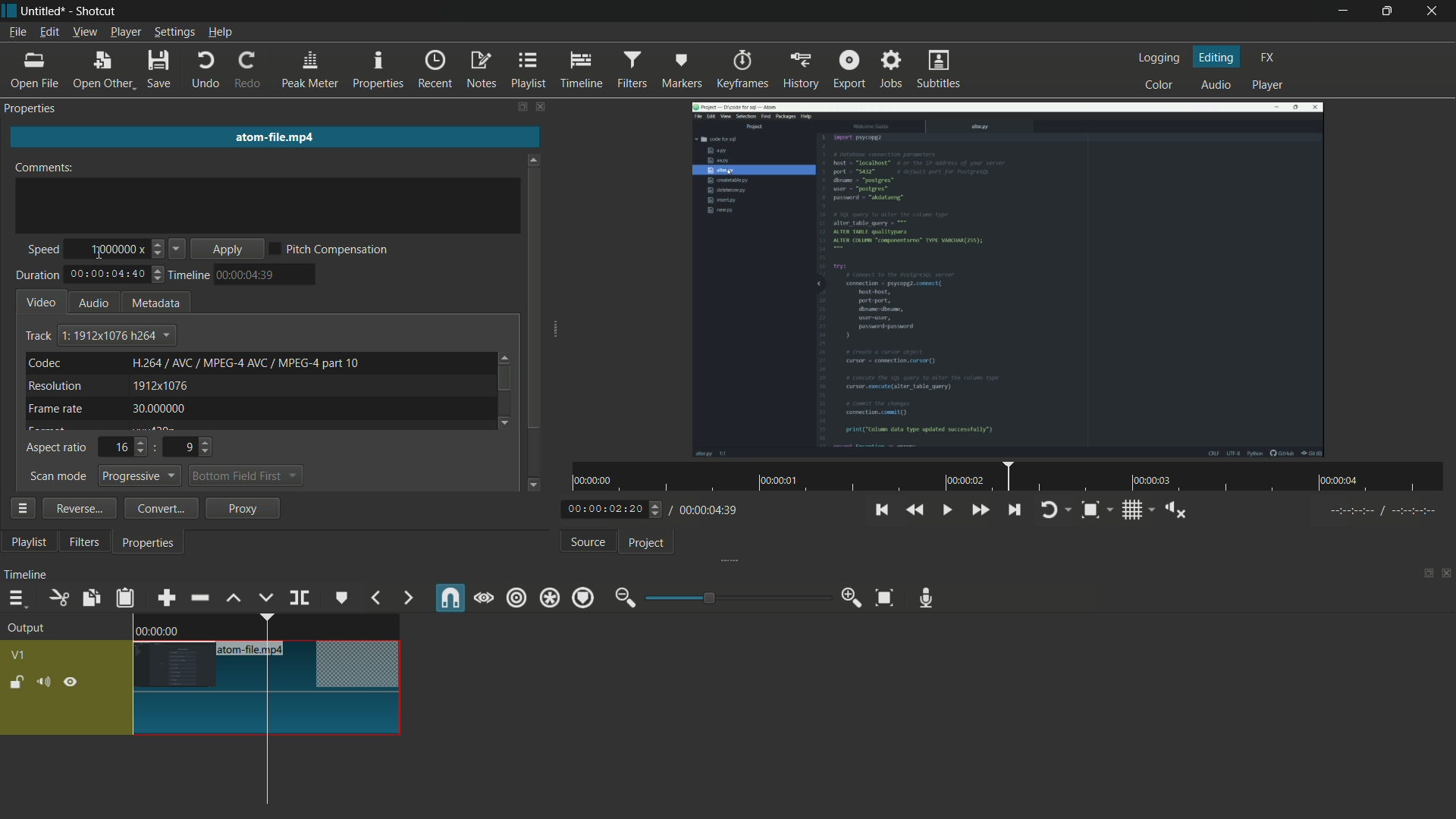 Image resolution: width=1456 pixels, height=819 pixels. What do you see at coordinates (30, 629) in the screenshot?
I see `output` at bounding box center [30, 629].